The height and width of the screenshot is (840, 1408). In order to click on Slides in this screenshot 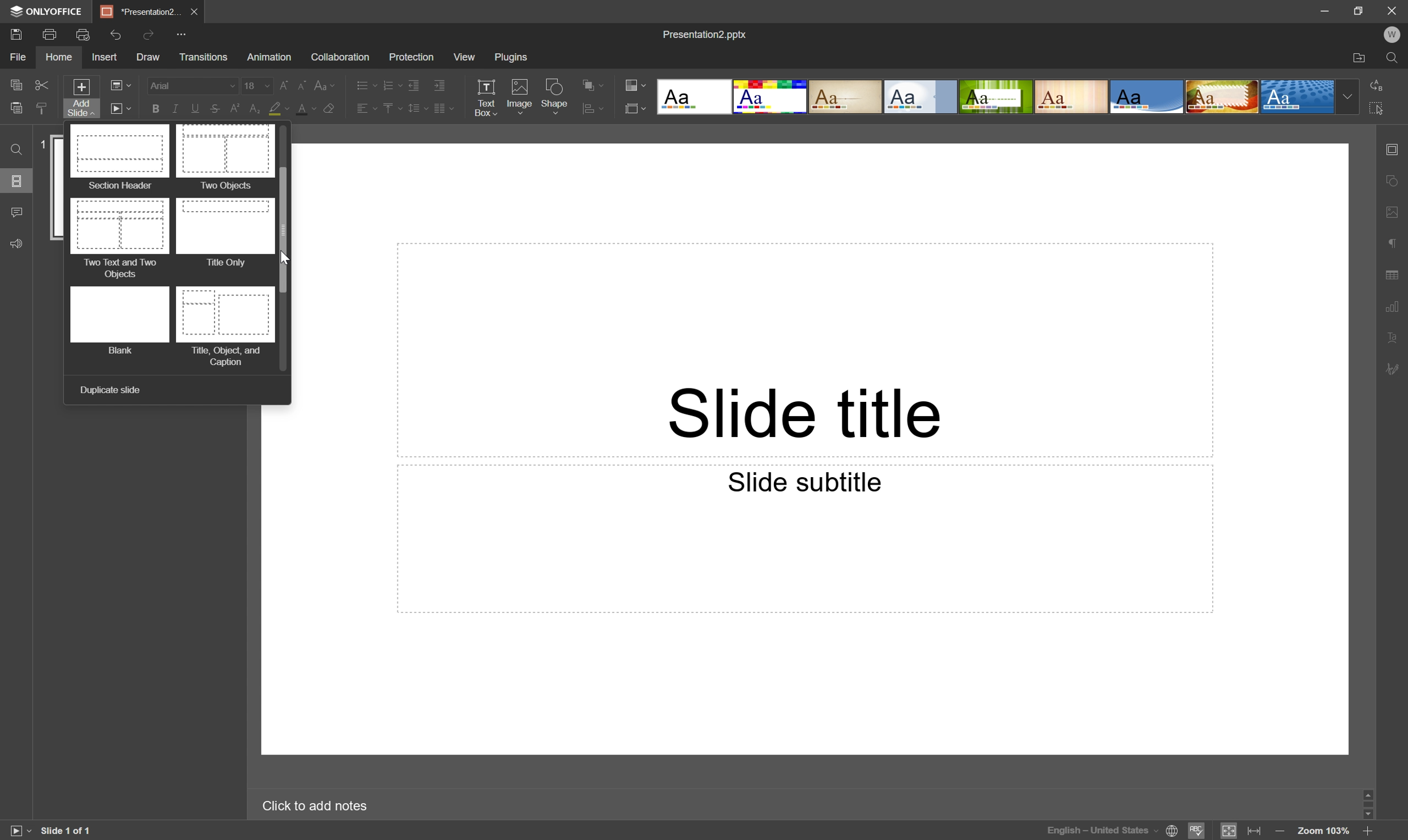, I will do `click(18, 182)`.